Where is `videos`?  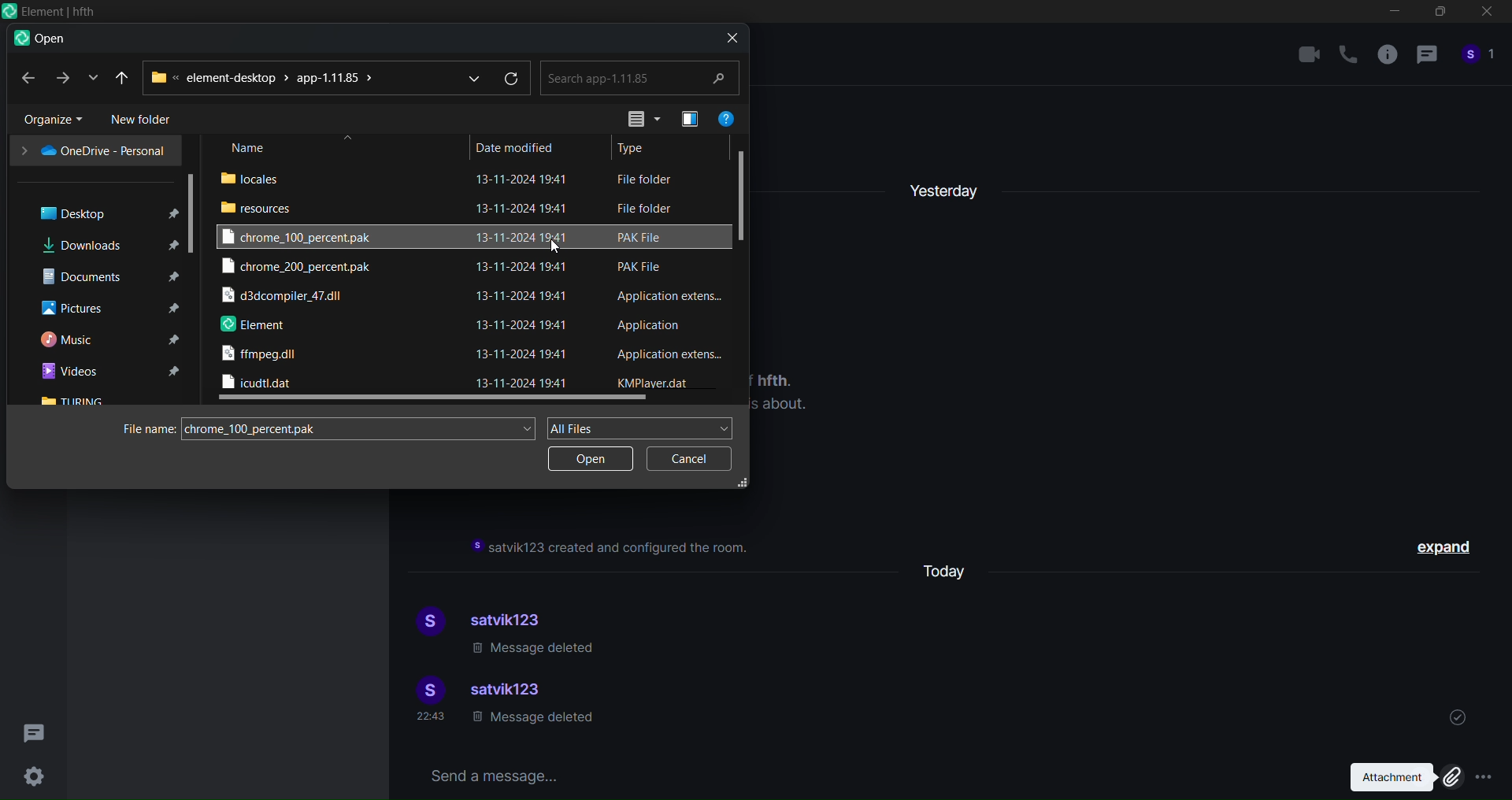 videos is located at coordinates (109, 369).